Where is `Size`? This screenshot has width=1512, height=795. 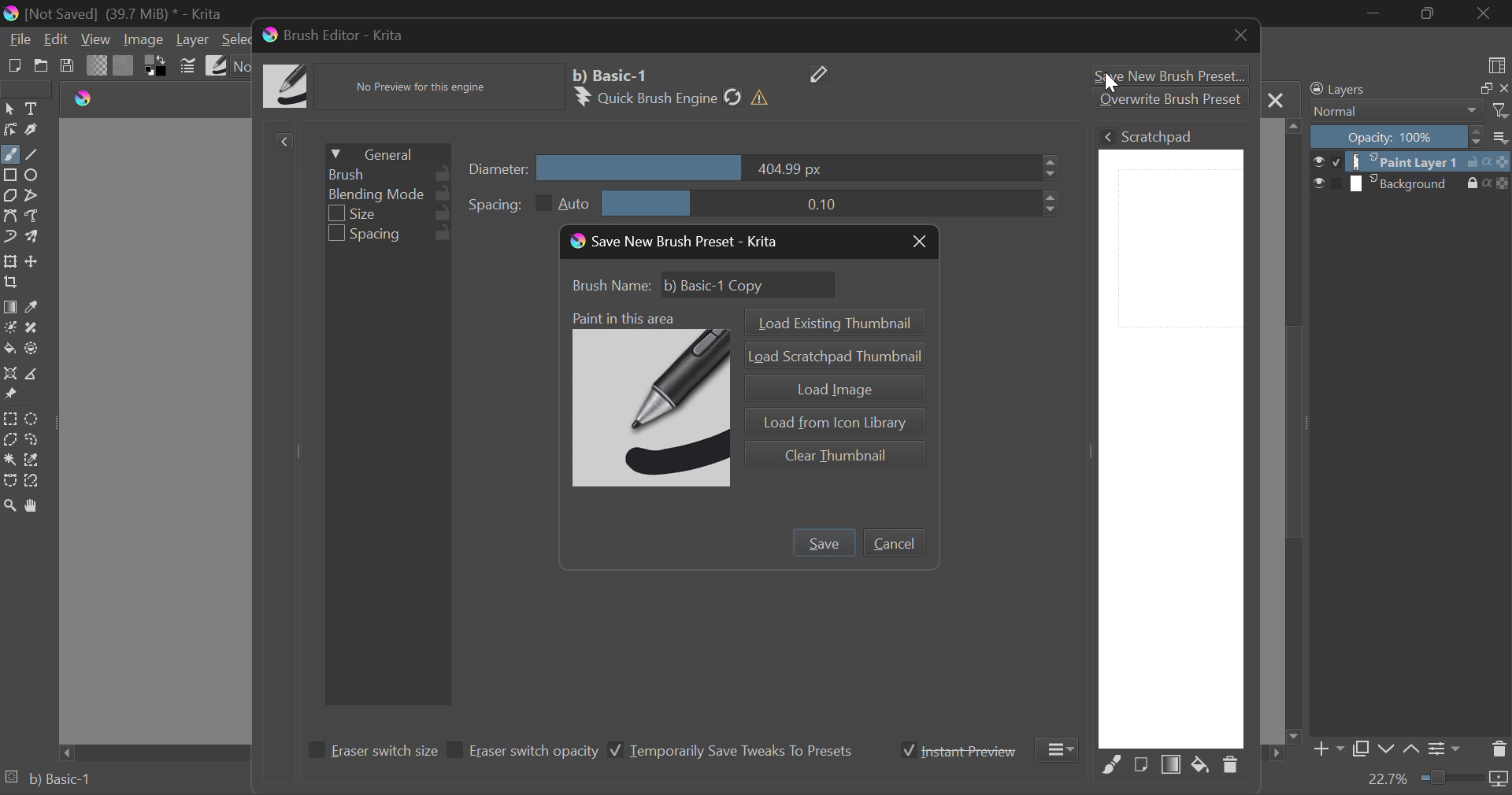
Size is located at coordinates (391, 215).